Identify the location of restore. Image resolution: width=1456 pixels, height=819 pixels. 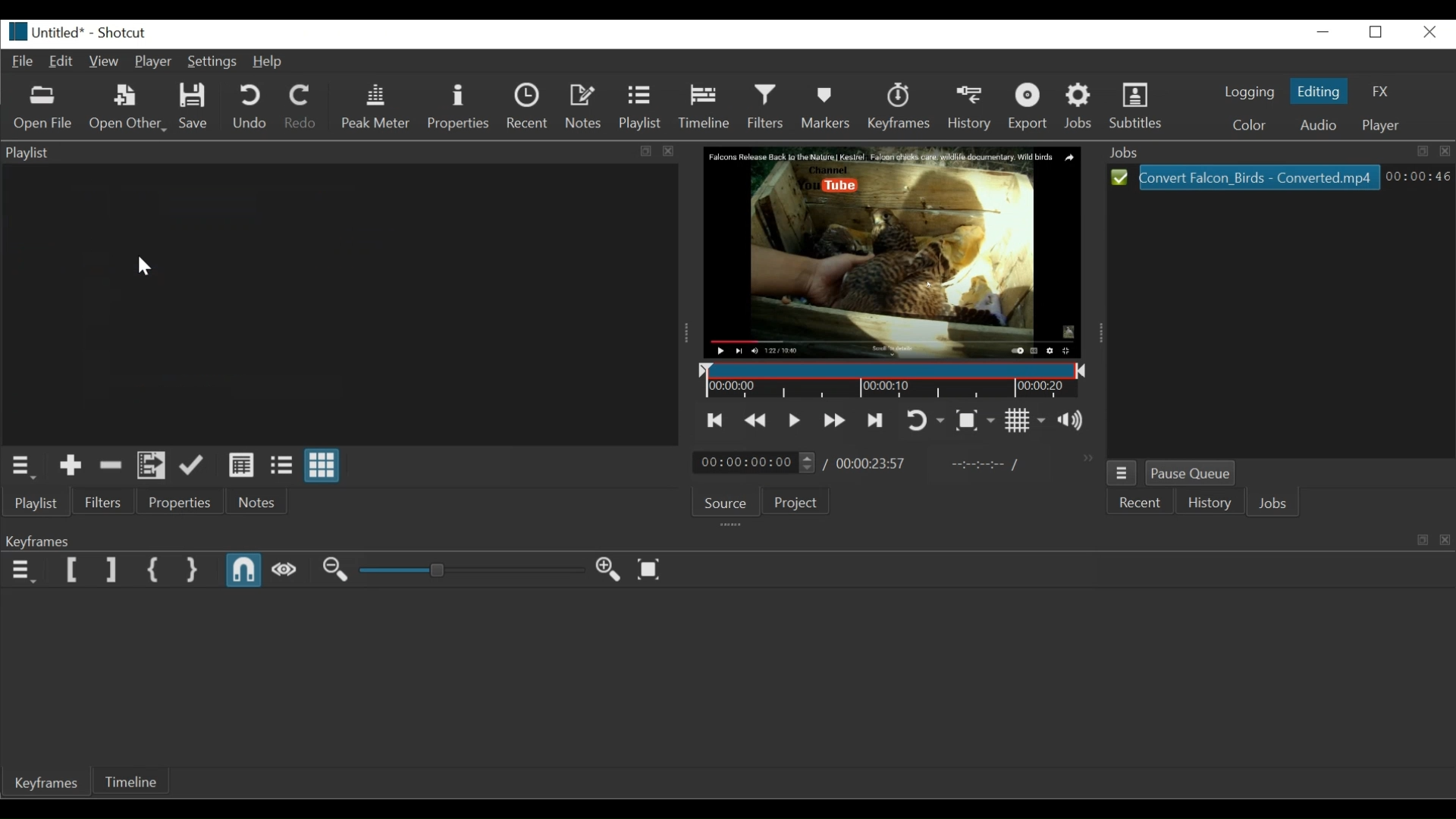
(1419, 538).